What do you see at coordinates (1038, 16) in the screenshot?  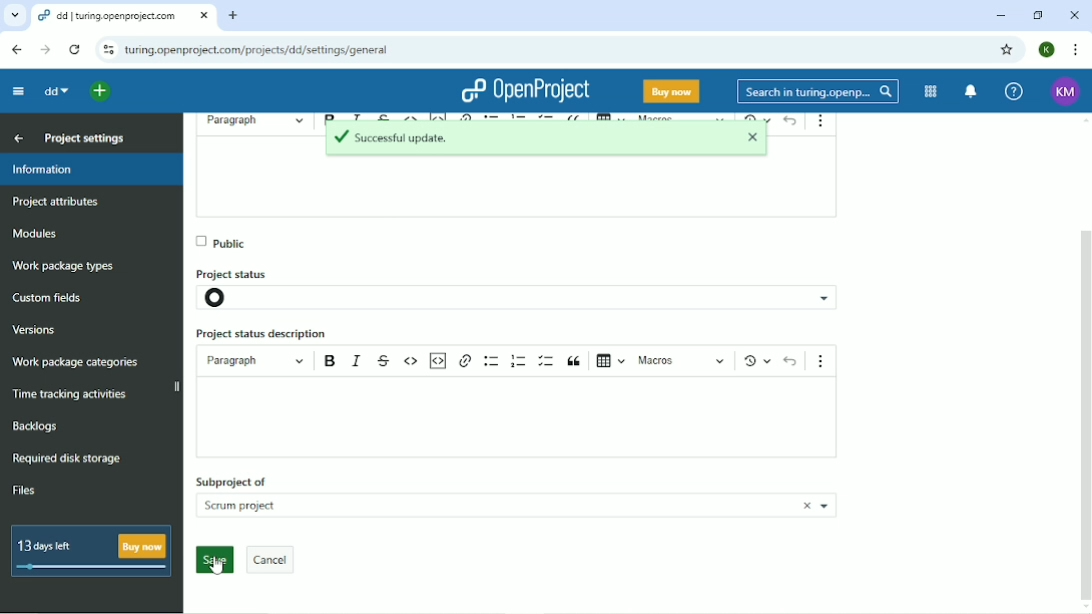 I see `Restore down` at bounding box center [1038, 16].